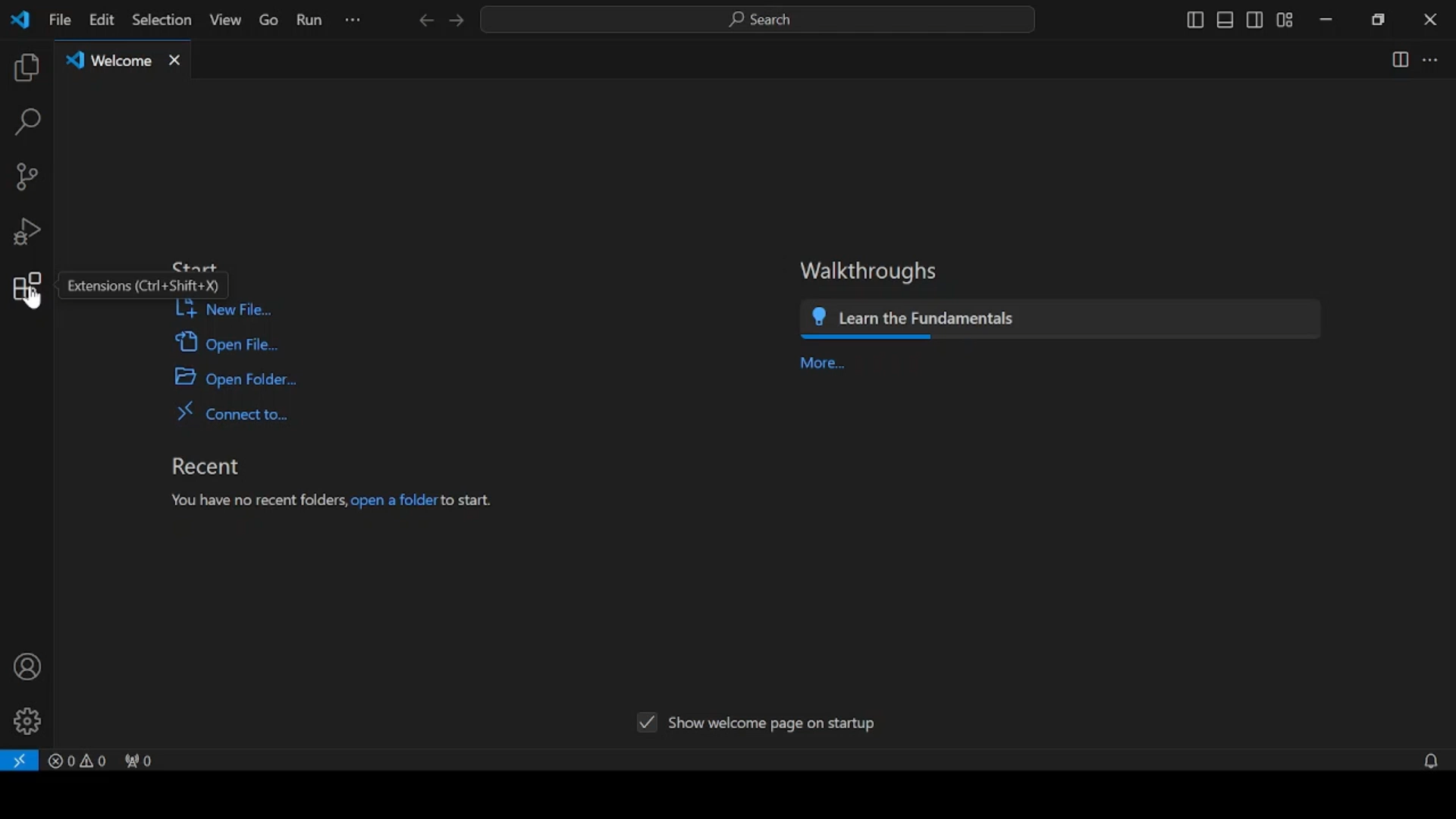 The width and height of the screenshot is (1456, 819). I want to click on minimize, so click(1326, 21).